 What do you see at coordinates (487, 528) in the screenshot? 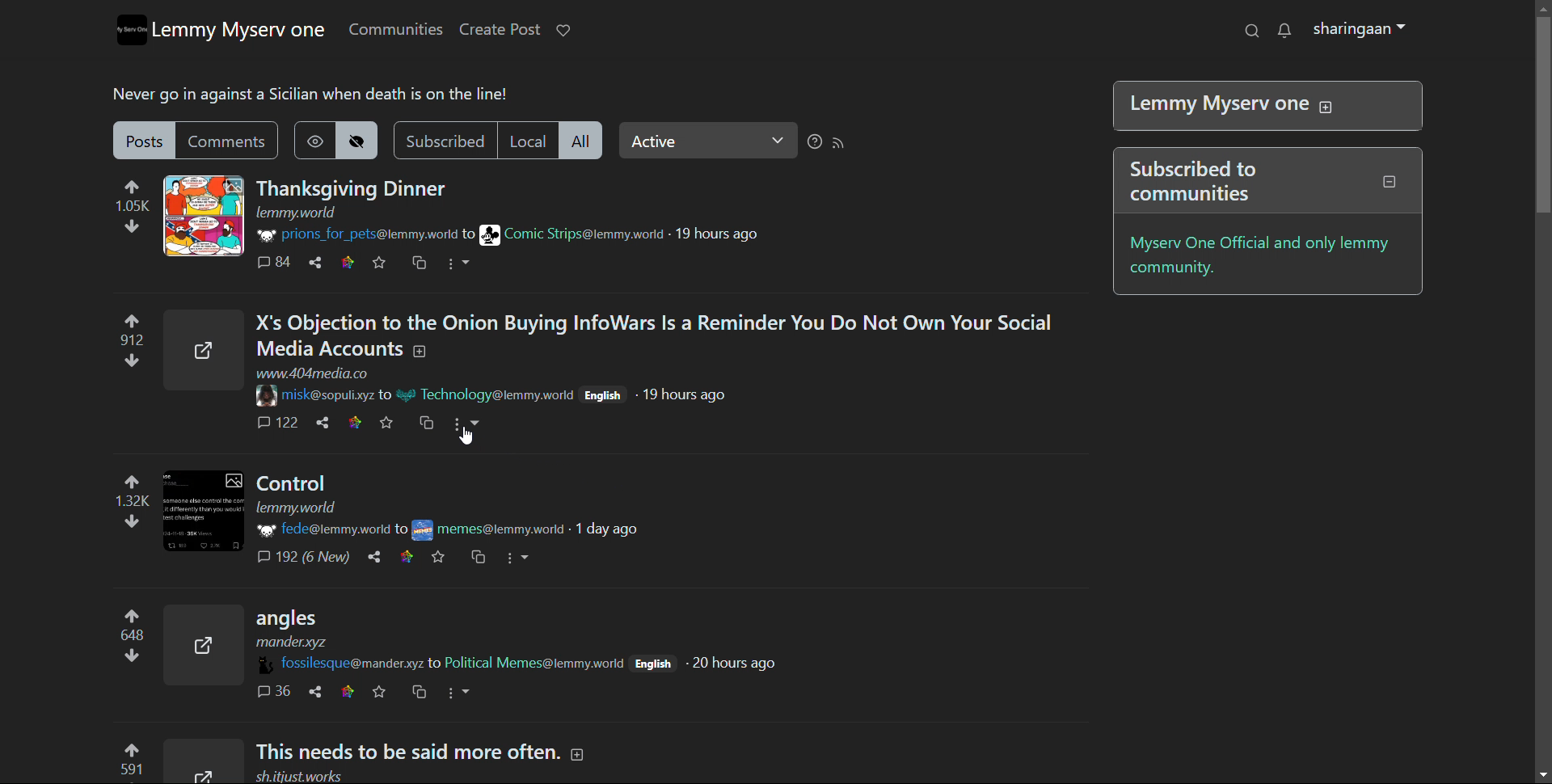
I see `community` at bounding box center [487, 528].